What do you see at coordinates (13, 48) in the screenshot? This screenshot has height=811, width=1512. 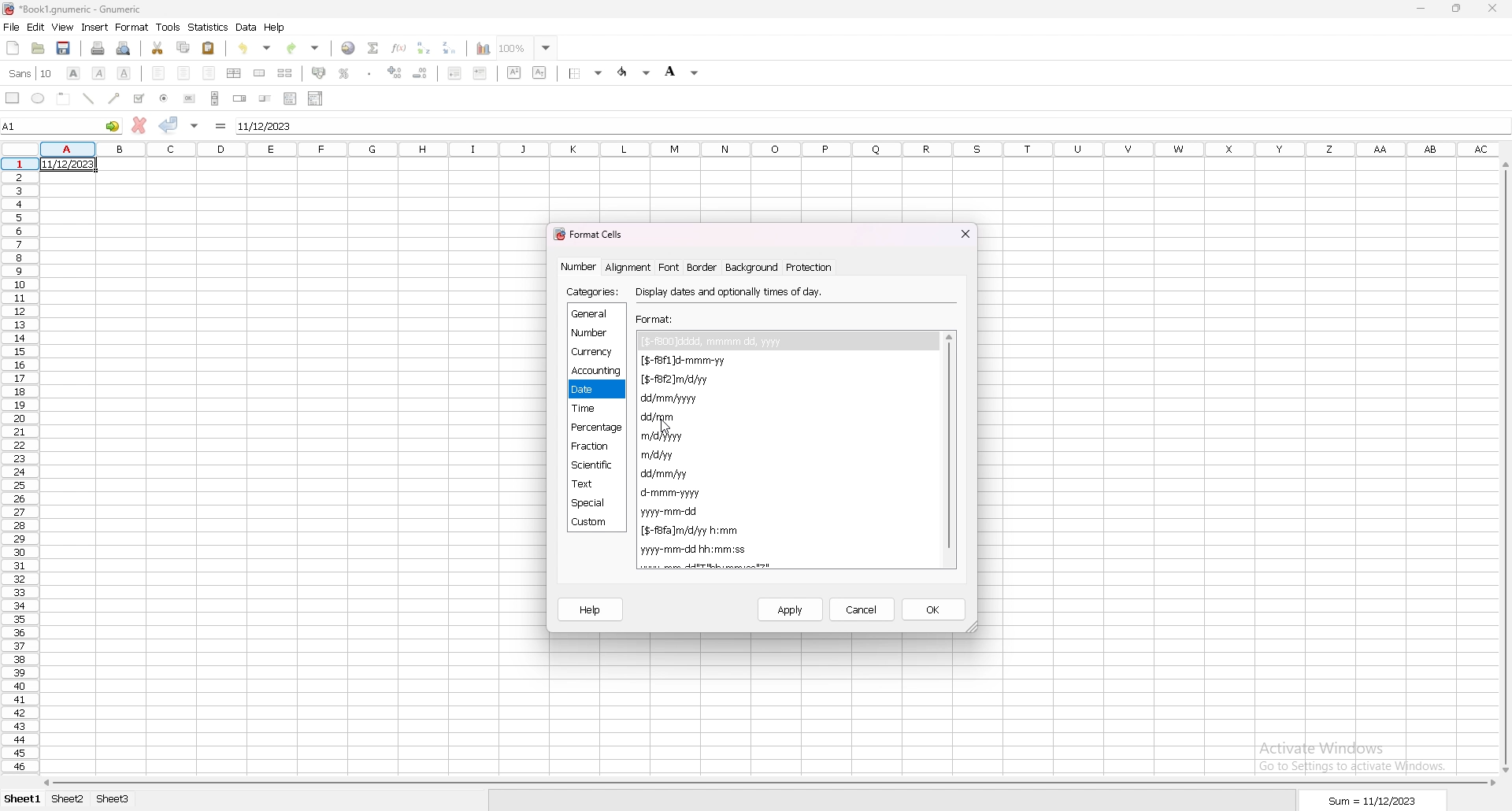 I see `new` at bounding box center [13, 48].